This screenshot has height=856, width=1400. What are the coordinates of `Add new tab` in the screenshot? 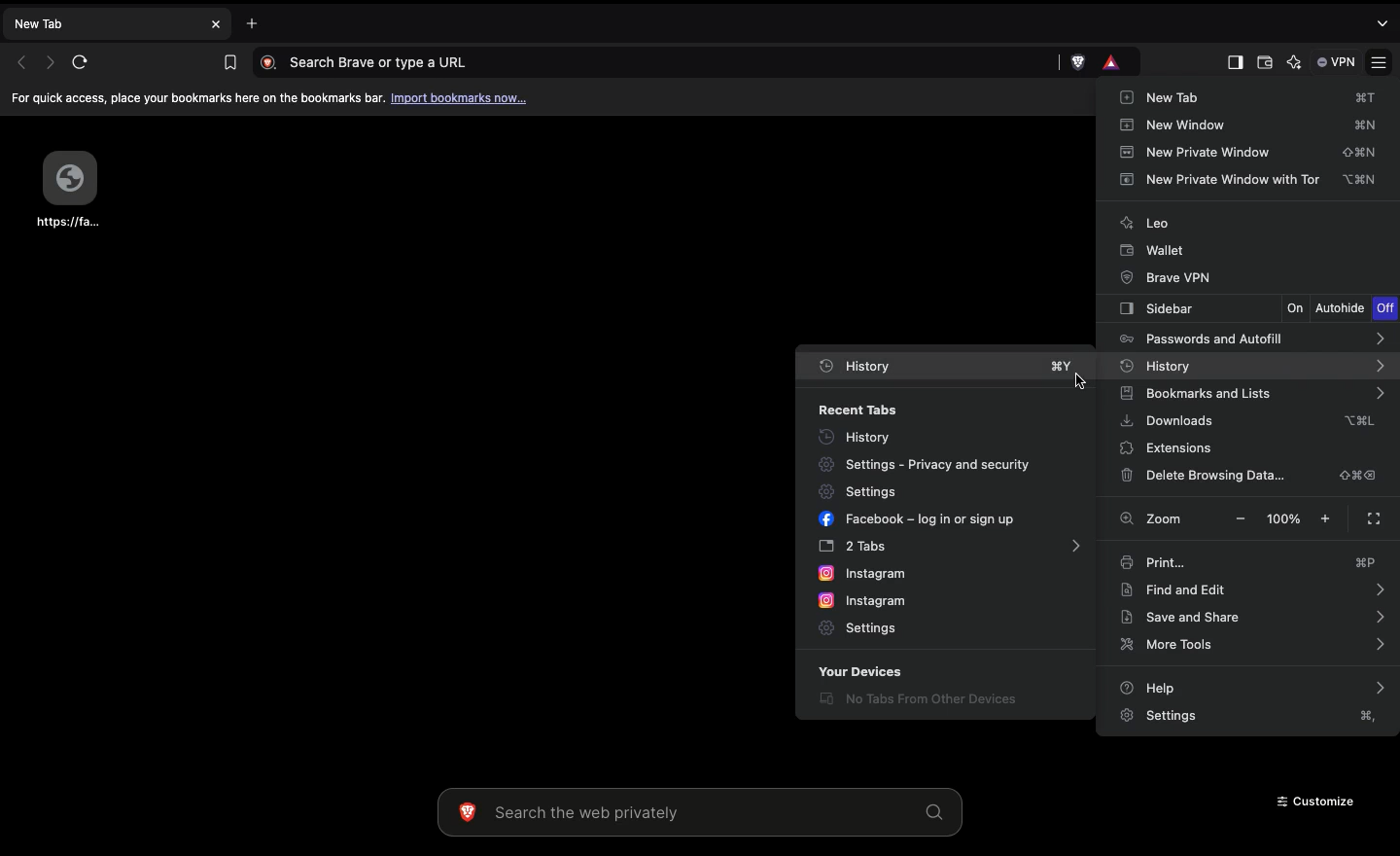 It's located at (256, 20).